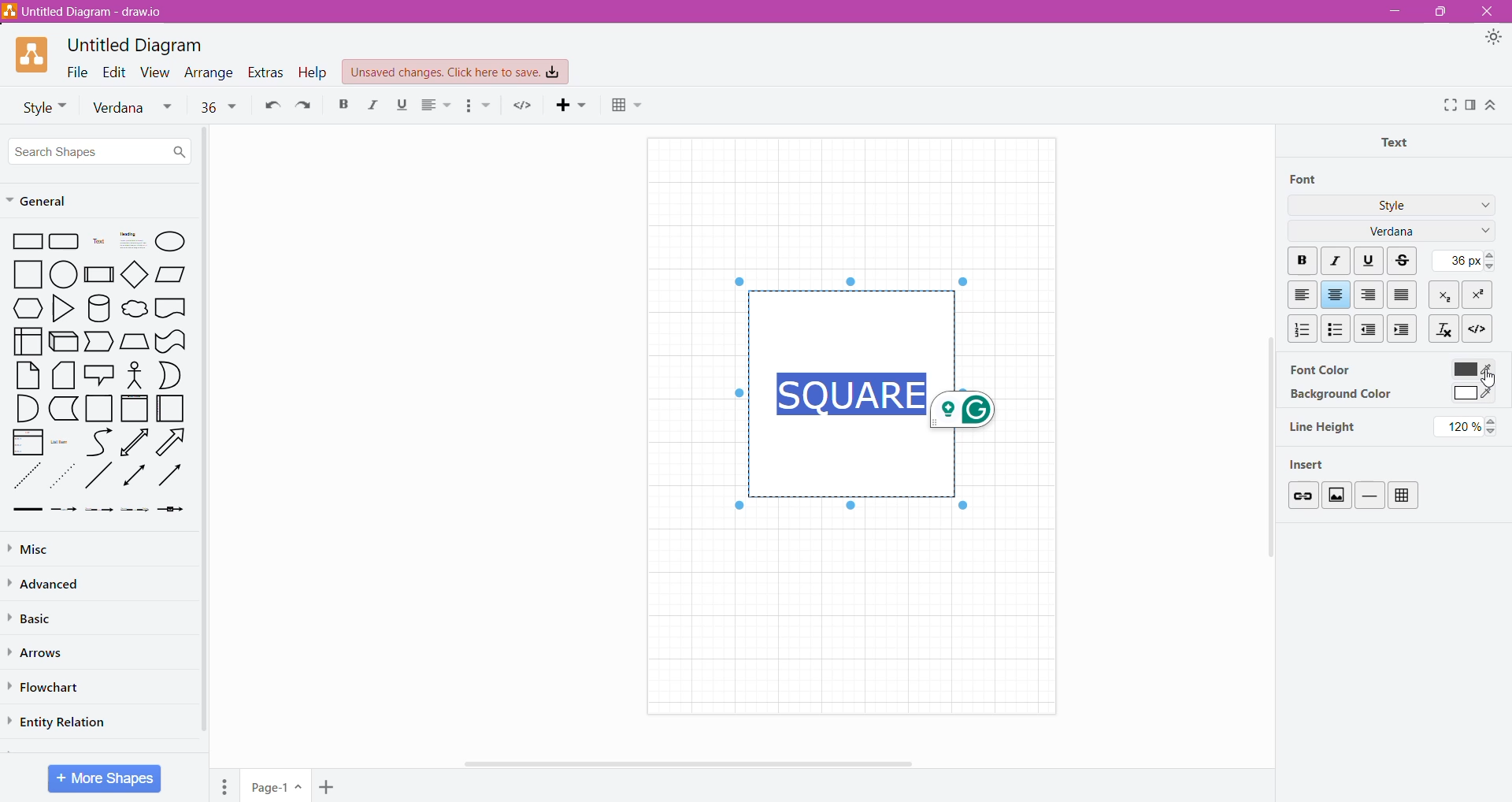 The width and height of the screenshot is (1512, 802). Describe the element at coordinates (1485, 11) in the screenshot. I see `Close` at that location.